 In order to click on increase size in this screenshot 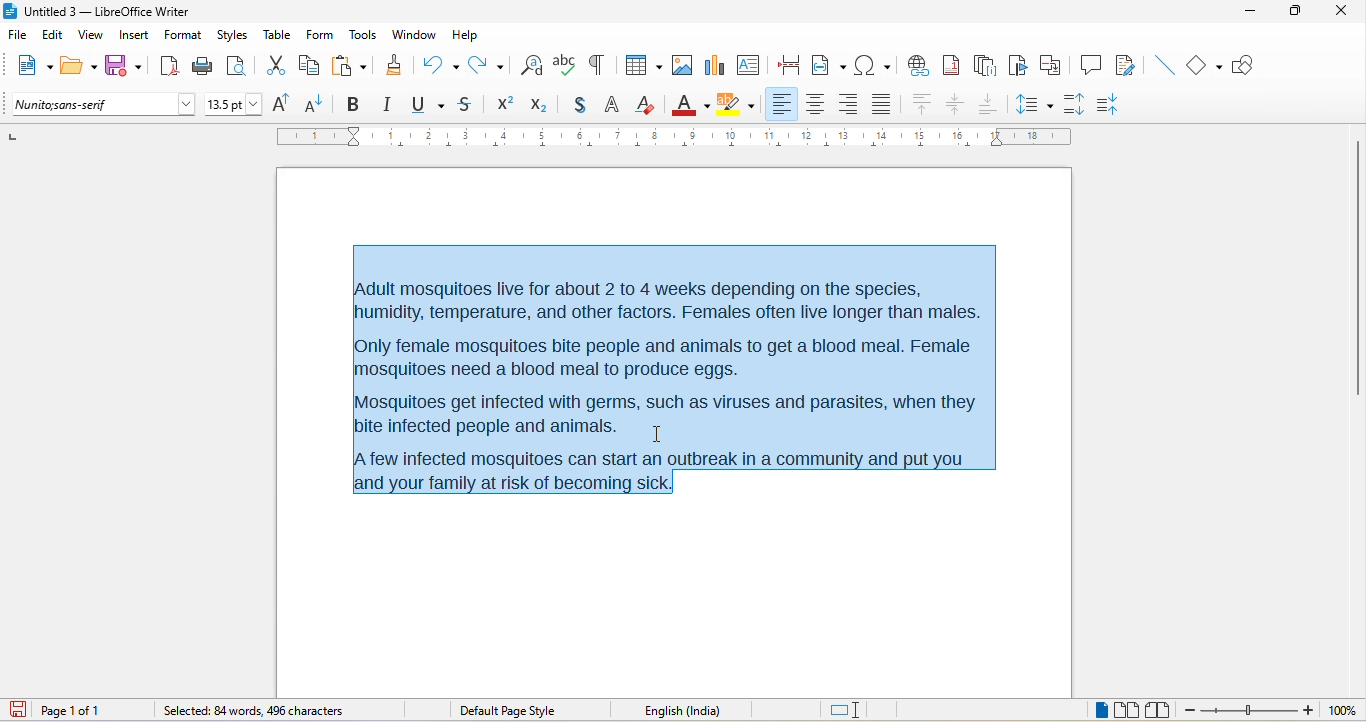, I will do `click(278, 103)`.